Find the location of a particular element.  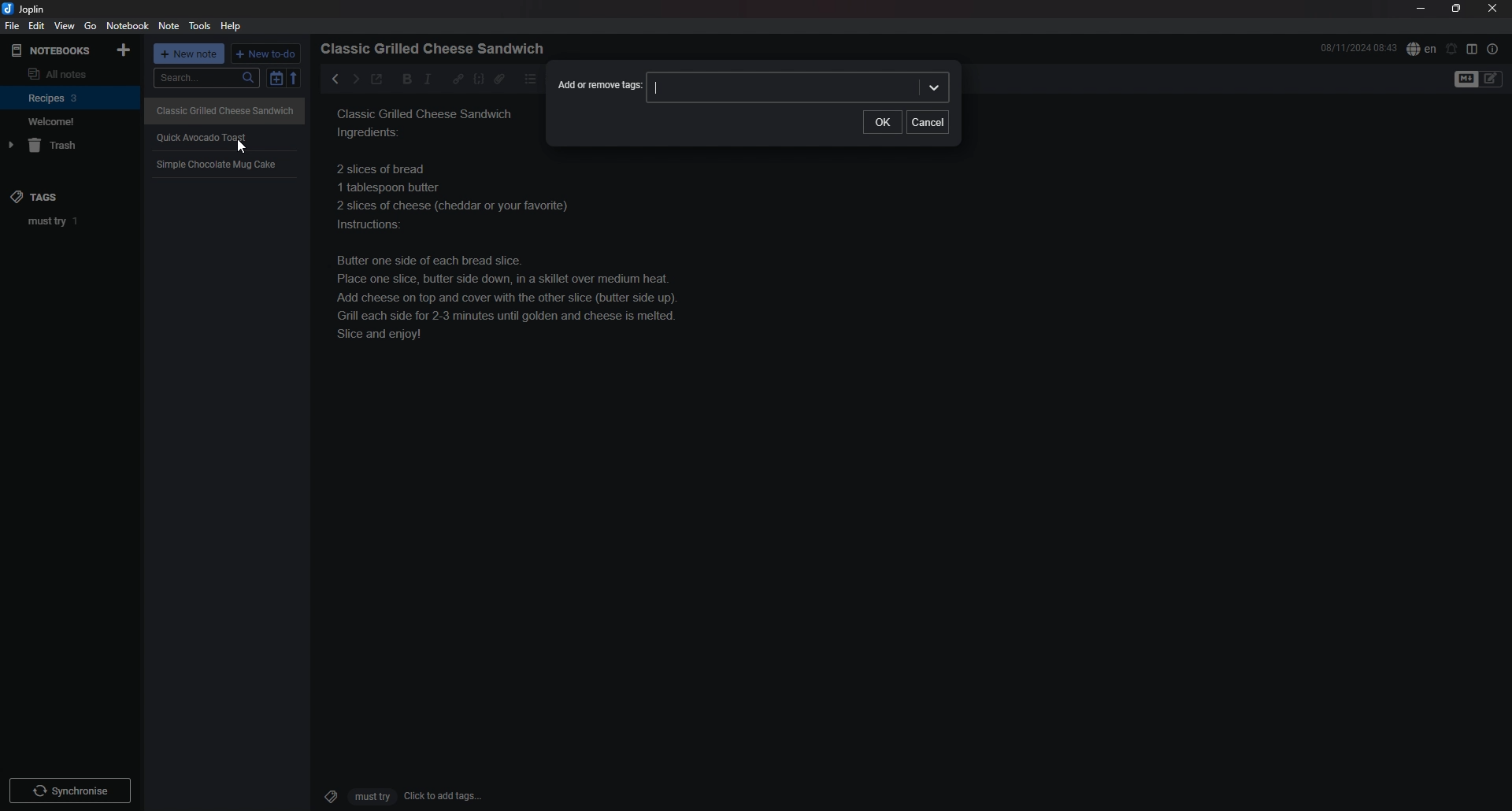

go is located at coordinates (91, 25).